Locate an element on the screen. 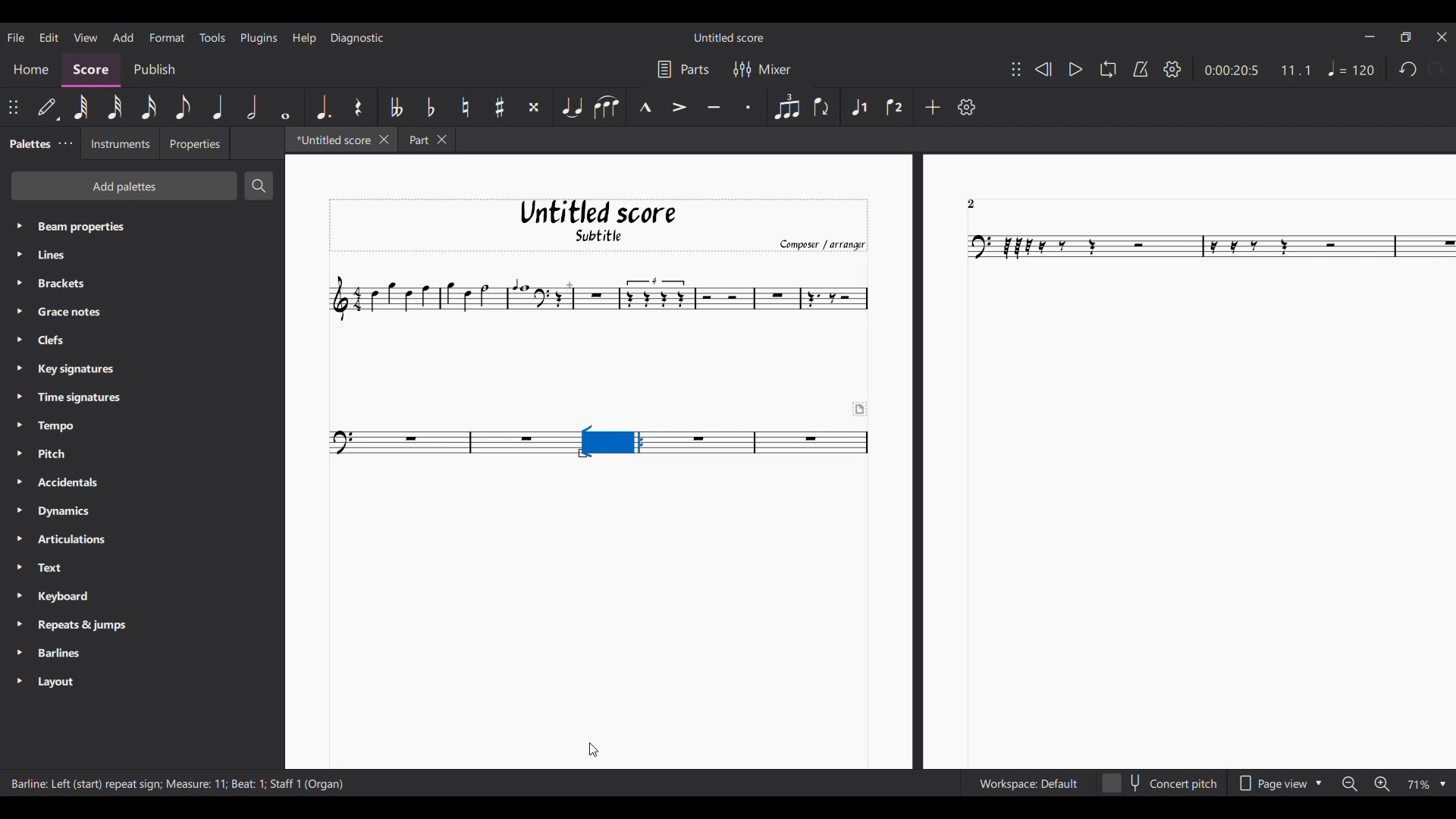 The width and height of the screenshot is (1456, 819). Other tab is located at coordinates (426, 140).